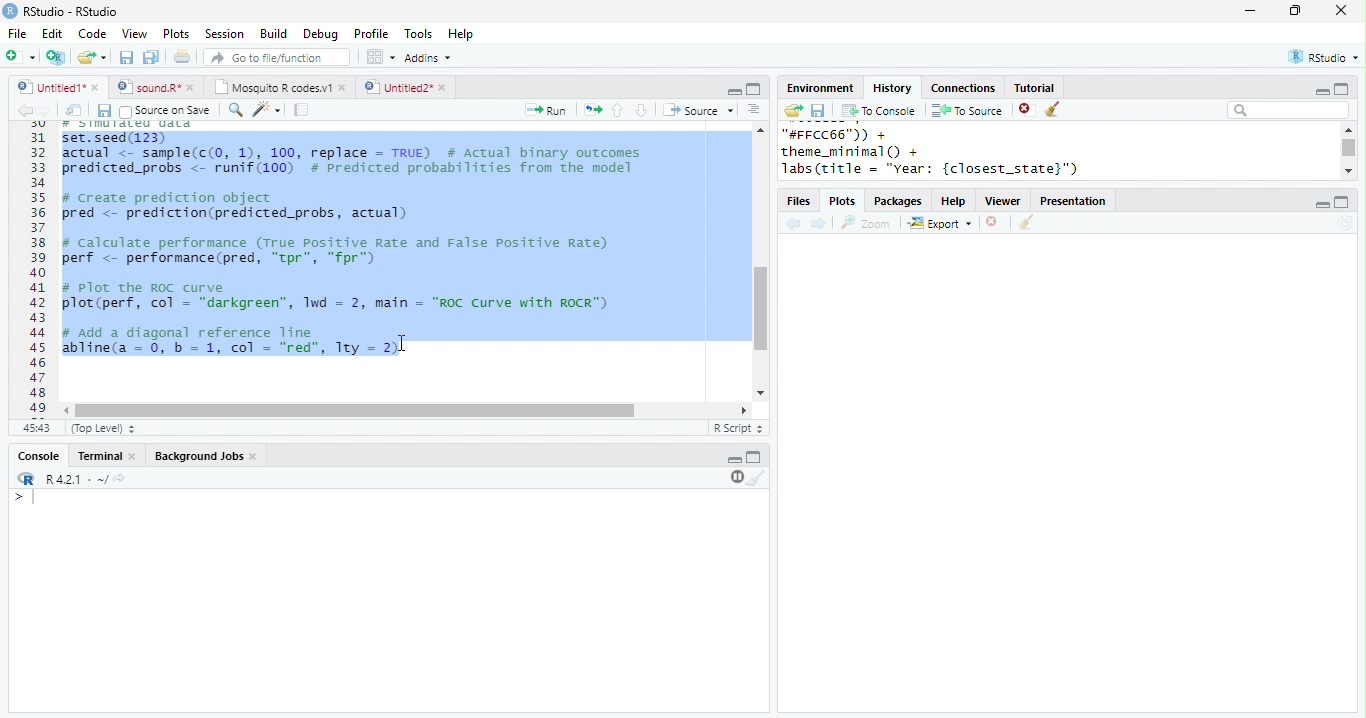 This screenshot has height=718, width=1366. What do you see at coordinates (37, 457) in the screenshot?
I see `console` at bounding box center [37, 457].